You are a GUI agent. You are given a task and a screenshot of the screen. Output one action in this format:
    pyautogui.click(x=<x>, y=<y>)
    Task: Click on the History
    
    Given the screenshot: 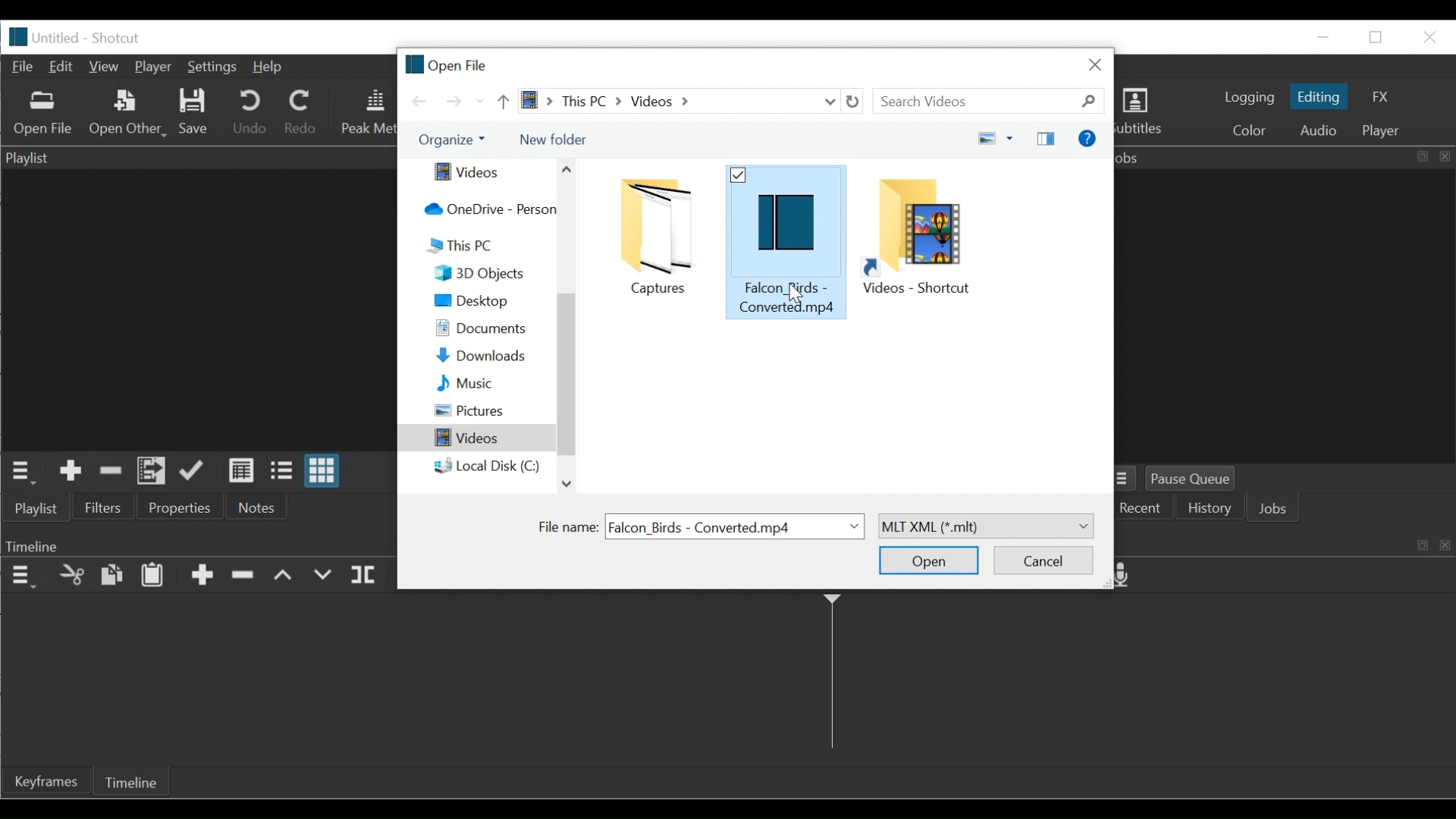 What is the action you would take?
    pyautogui.click(x=1212, y=510)
    